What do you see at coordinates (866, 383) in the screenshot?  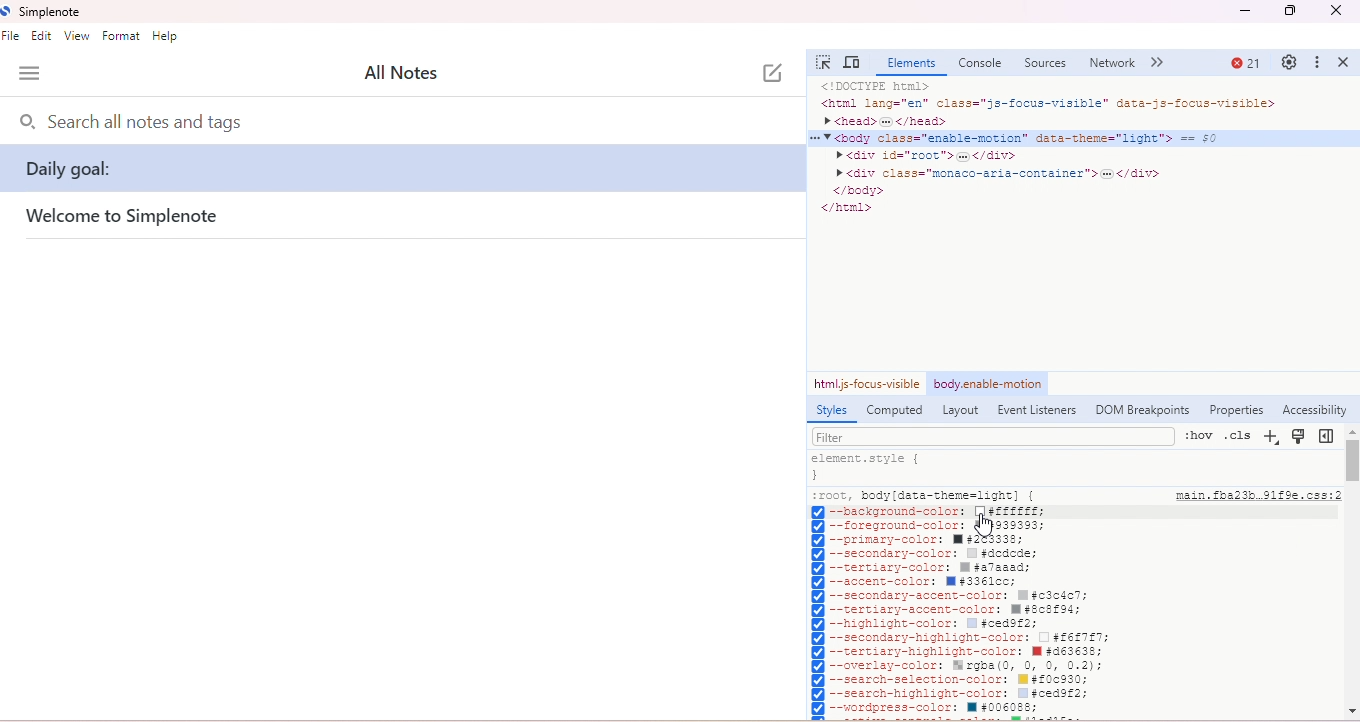 I see `html-js-focus-visible` at bounding box center [866, 383].